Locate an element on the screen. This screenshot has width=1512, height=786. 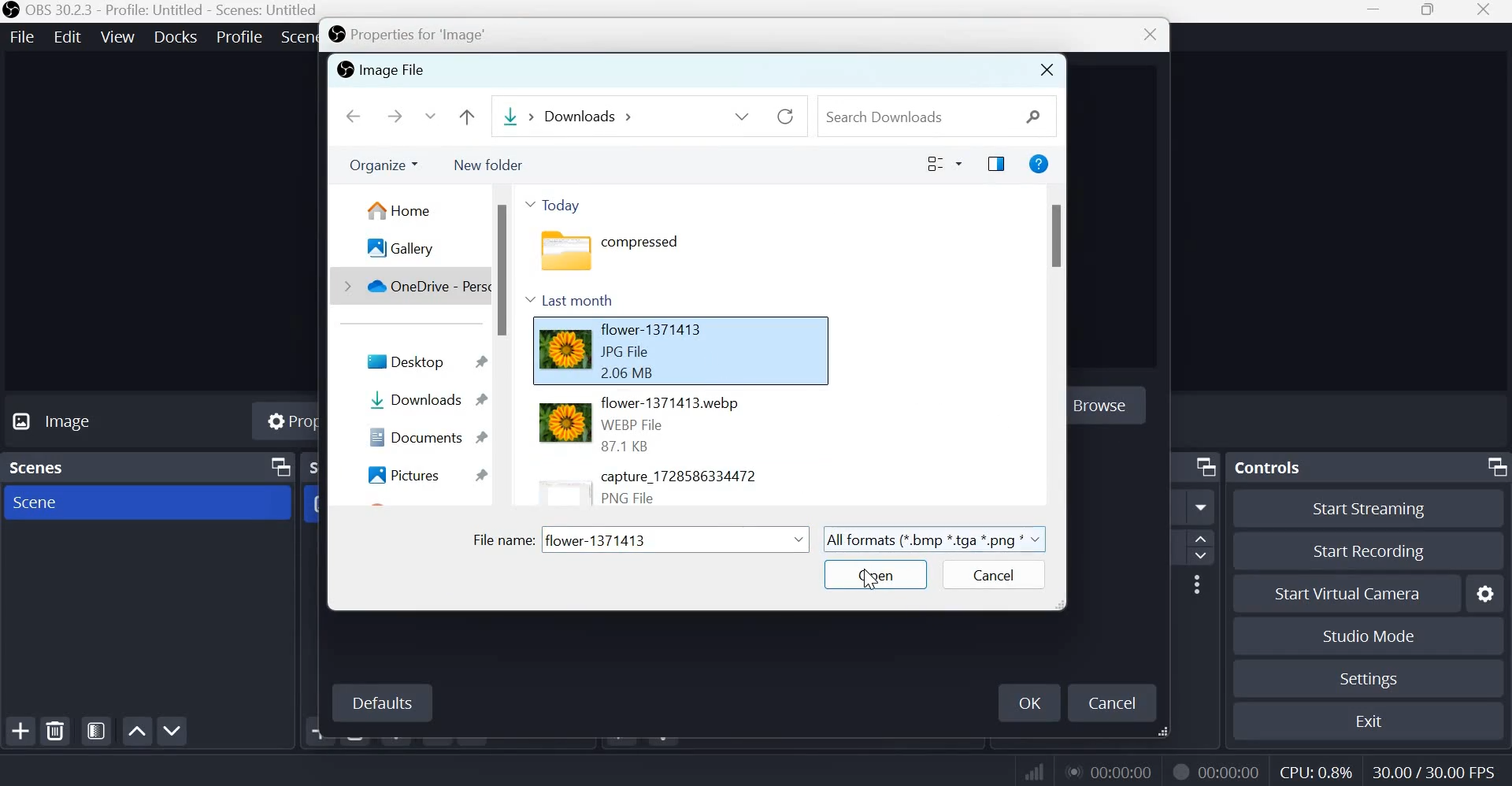
view is located at coordinates (118, 35).